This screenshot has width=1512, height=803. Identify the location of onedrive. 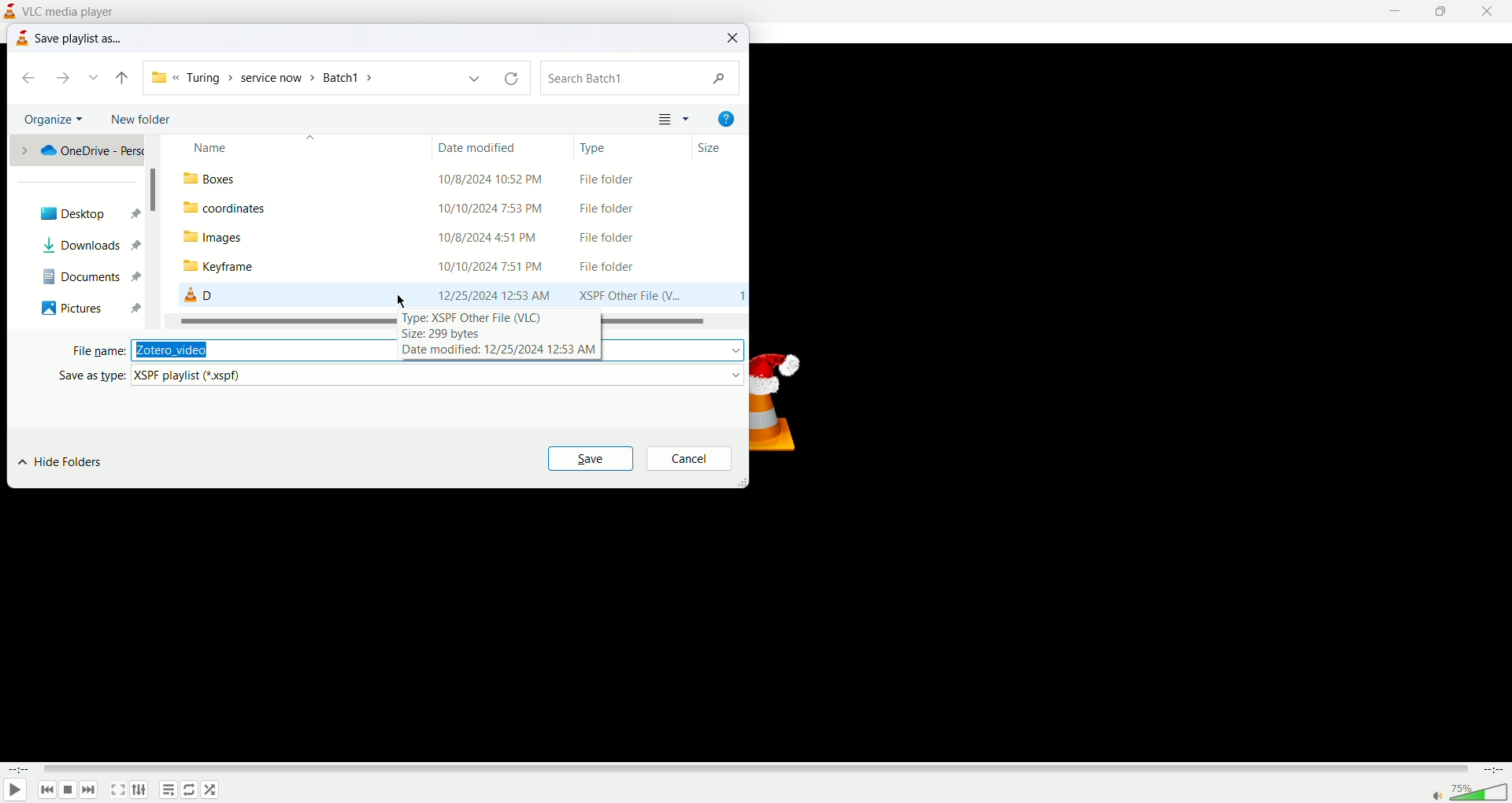
(80, 149).